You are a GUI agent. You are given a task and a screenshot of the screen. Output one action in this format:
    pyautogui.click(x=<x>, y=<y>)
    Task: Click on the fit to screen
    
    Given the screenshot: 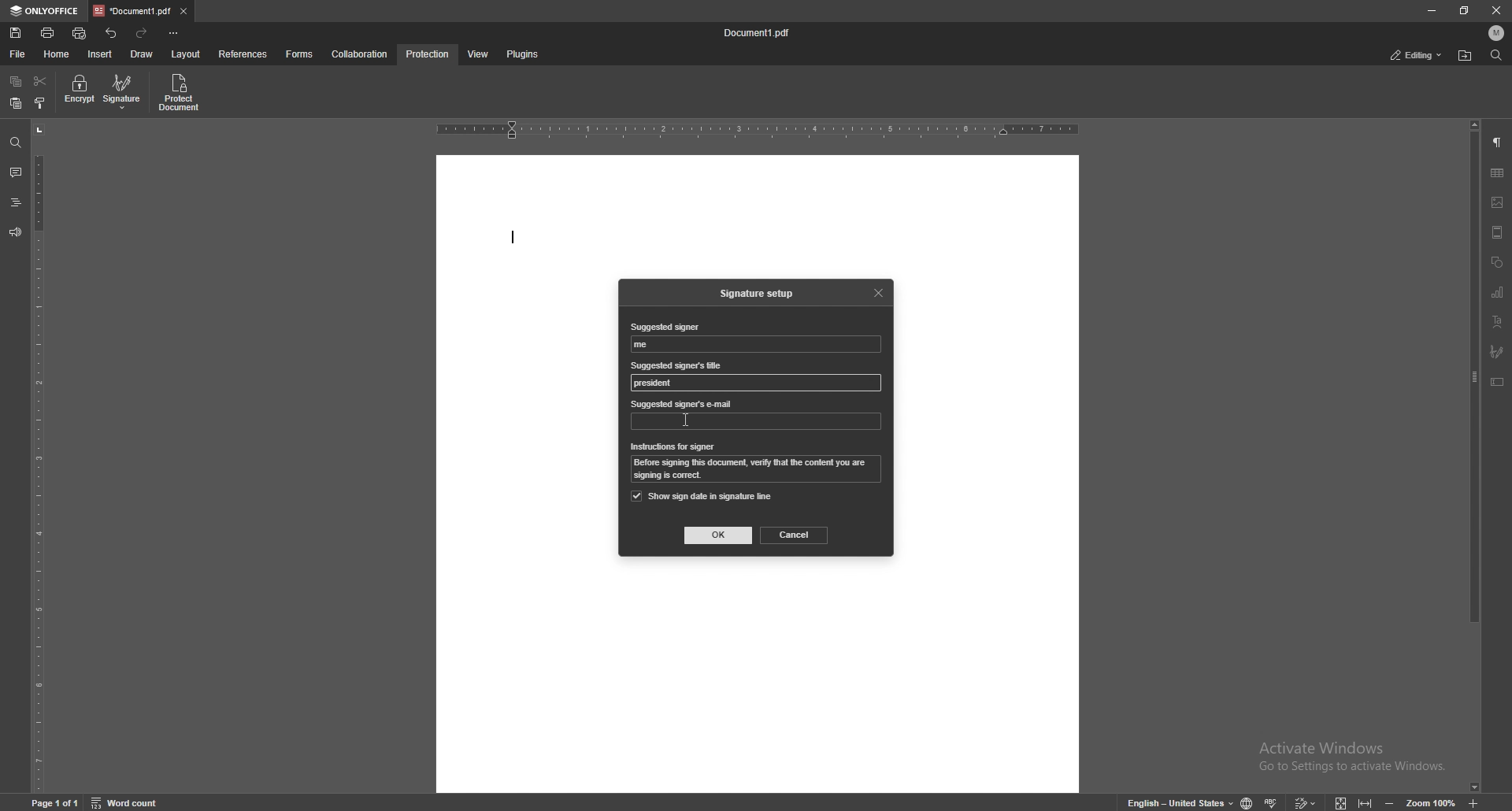 What is the action you would take?
    pyautogui.click(x=1336, y=801)
    